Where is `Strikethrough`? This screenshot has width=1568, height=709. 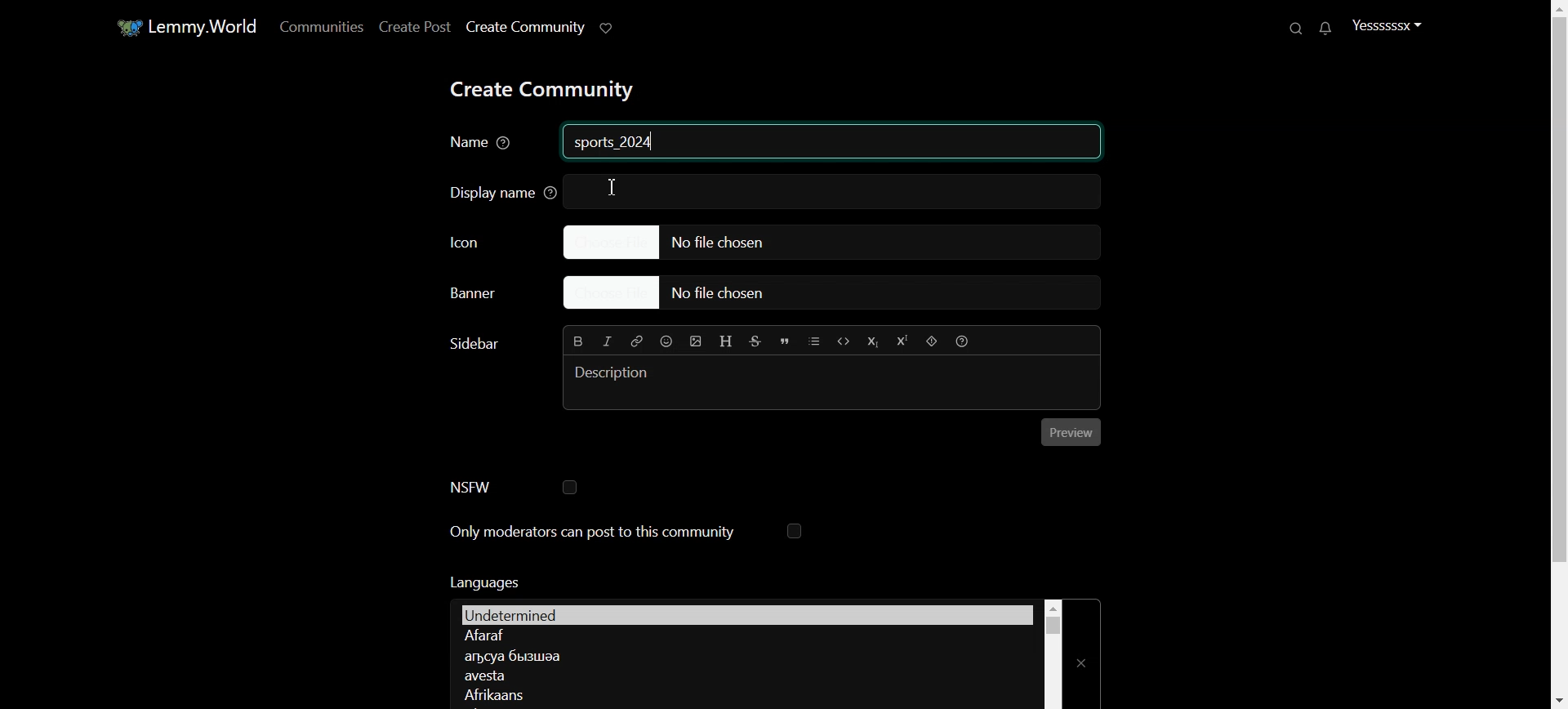 Strikethrough is located at coordinates (756, 341).